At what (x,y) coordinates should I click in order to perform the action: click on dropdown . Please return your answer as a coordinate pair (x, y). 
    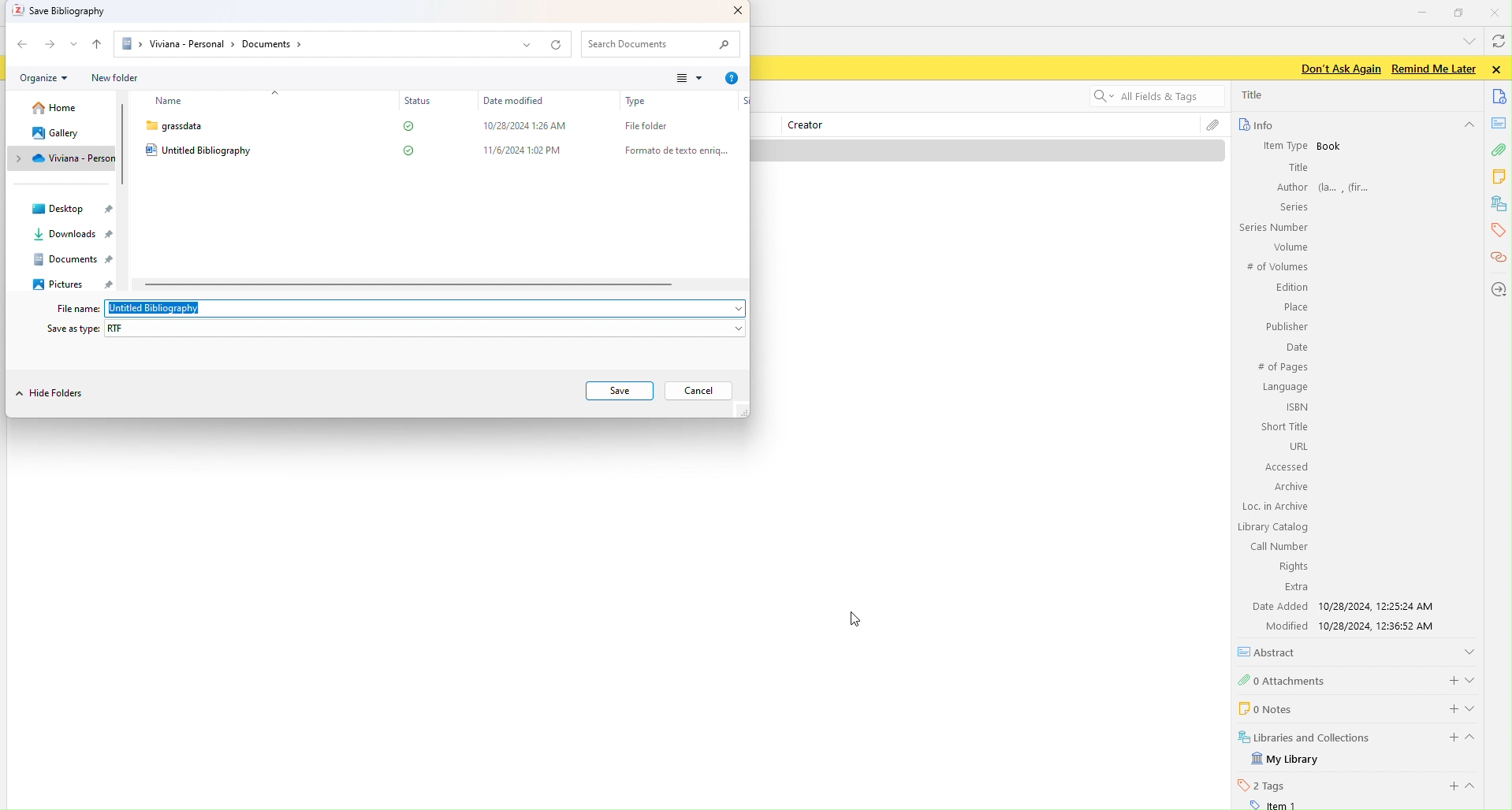
    Looking at the image, I should click on (735, 329).